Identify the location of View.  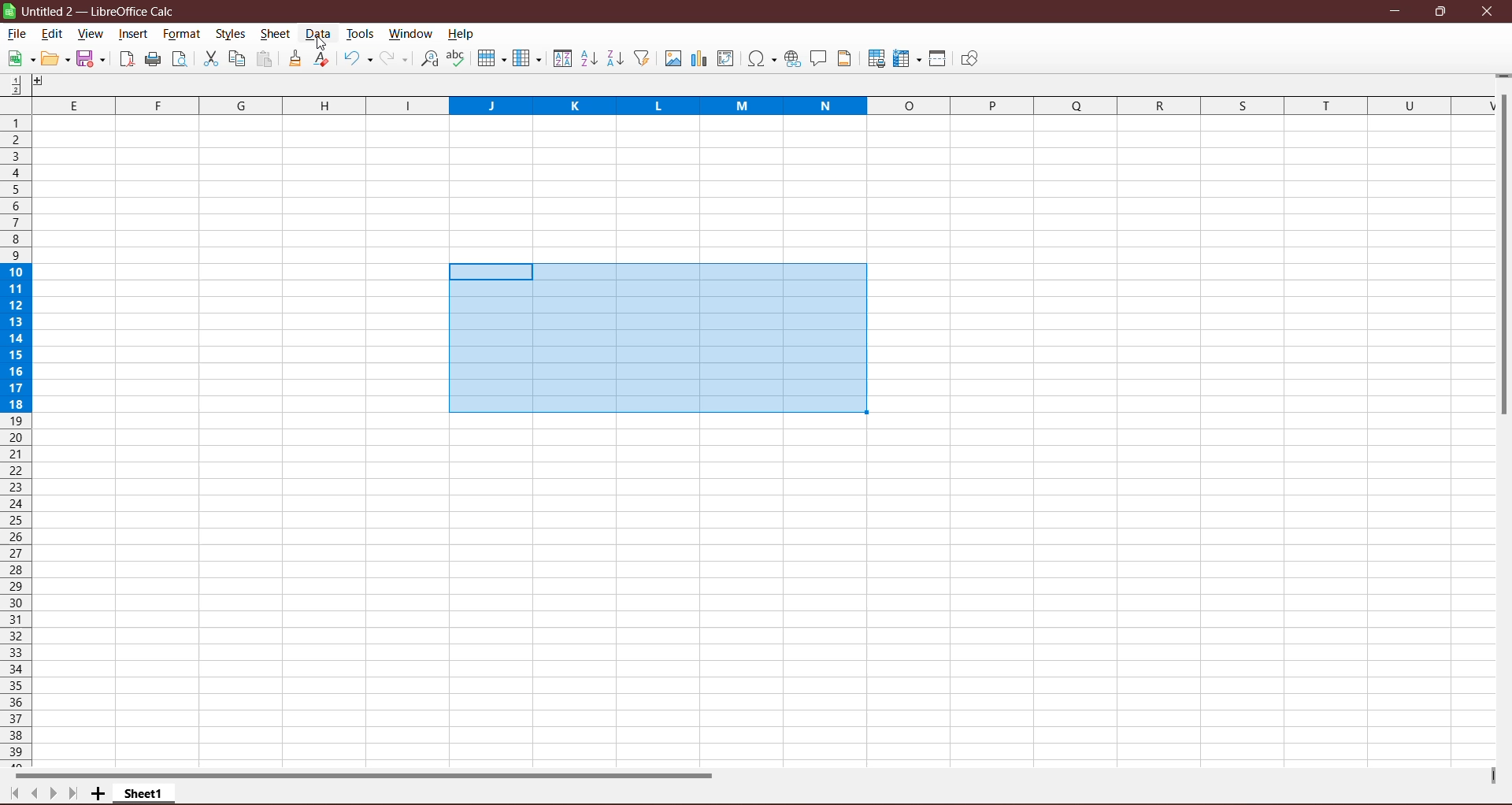
(89, 35).